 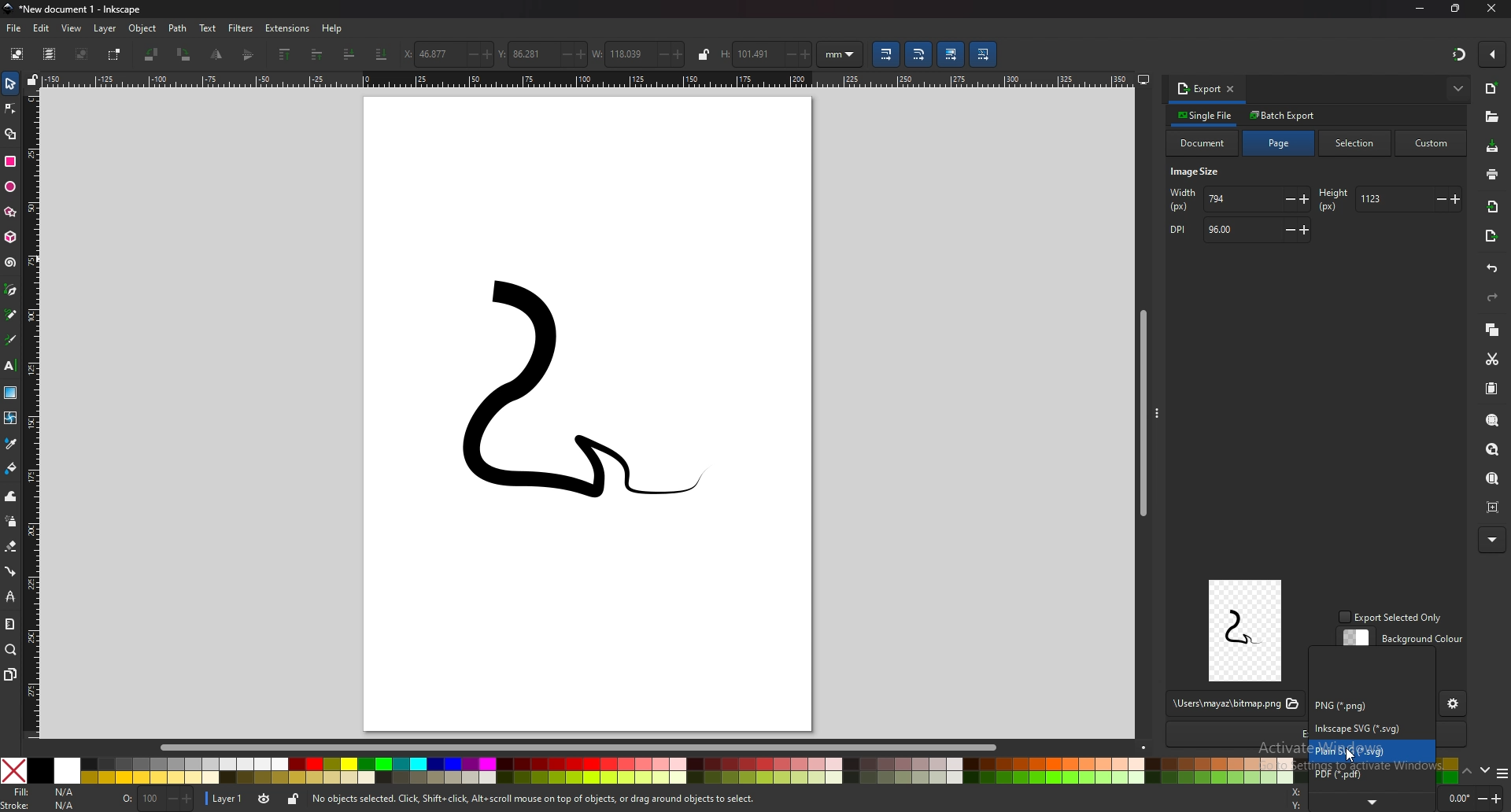 What do you see at coordinates (535, 799) in the screenshot?
I see `info` at bounding box center [535, 799].